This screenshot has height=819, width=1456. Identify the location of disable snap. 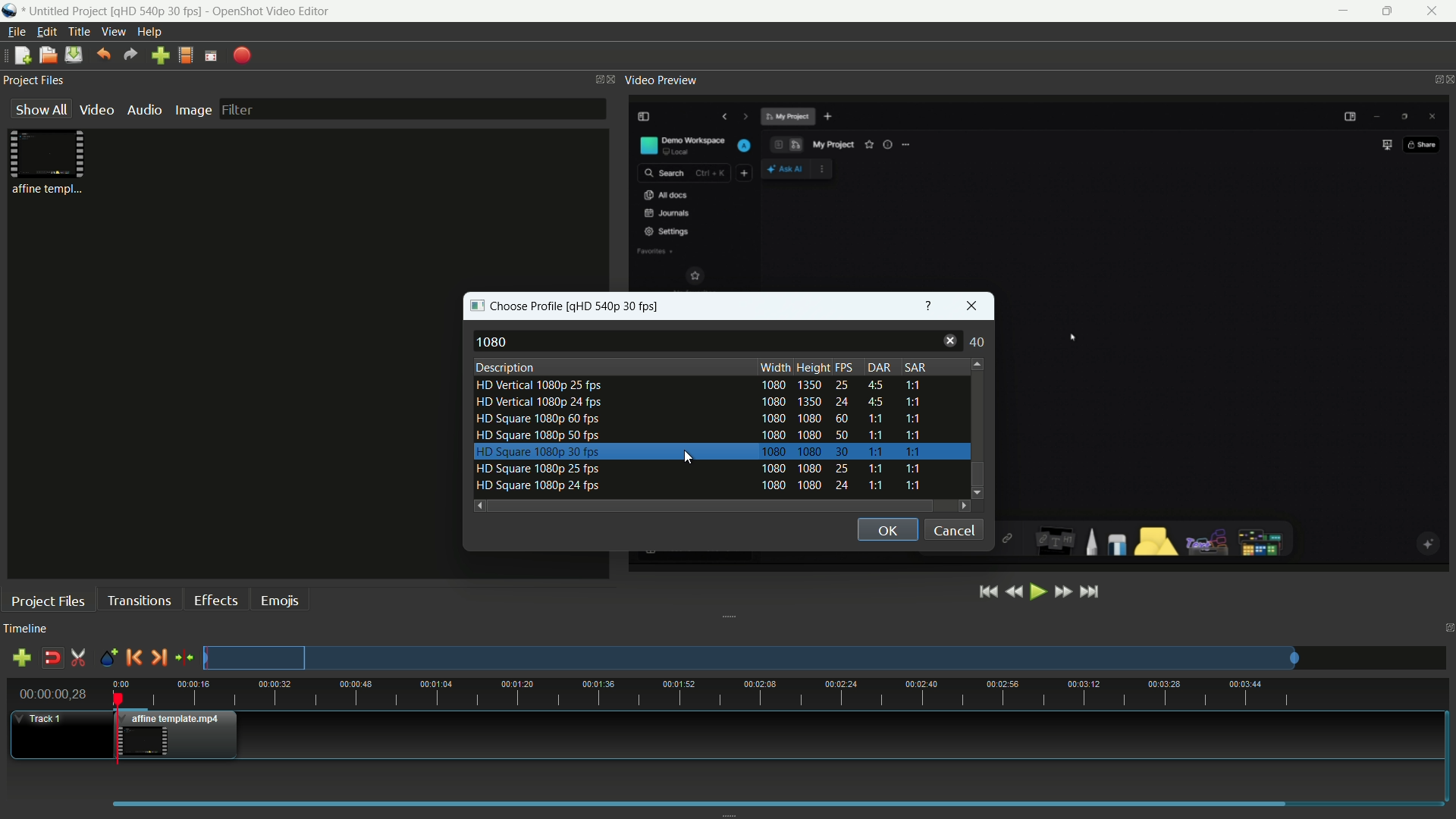
(52, 657).